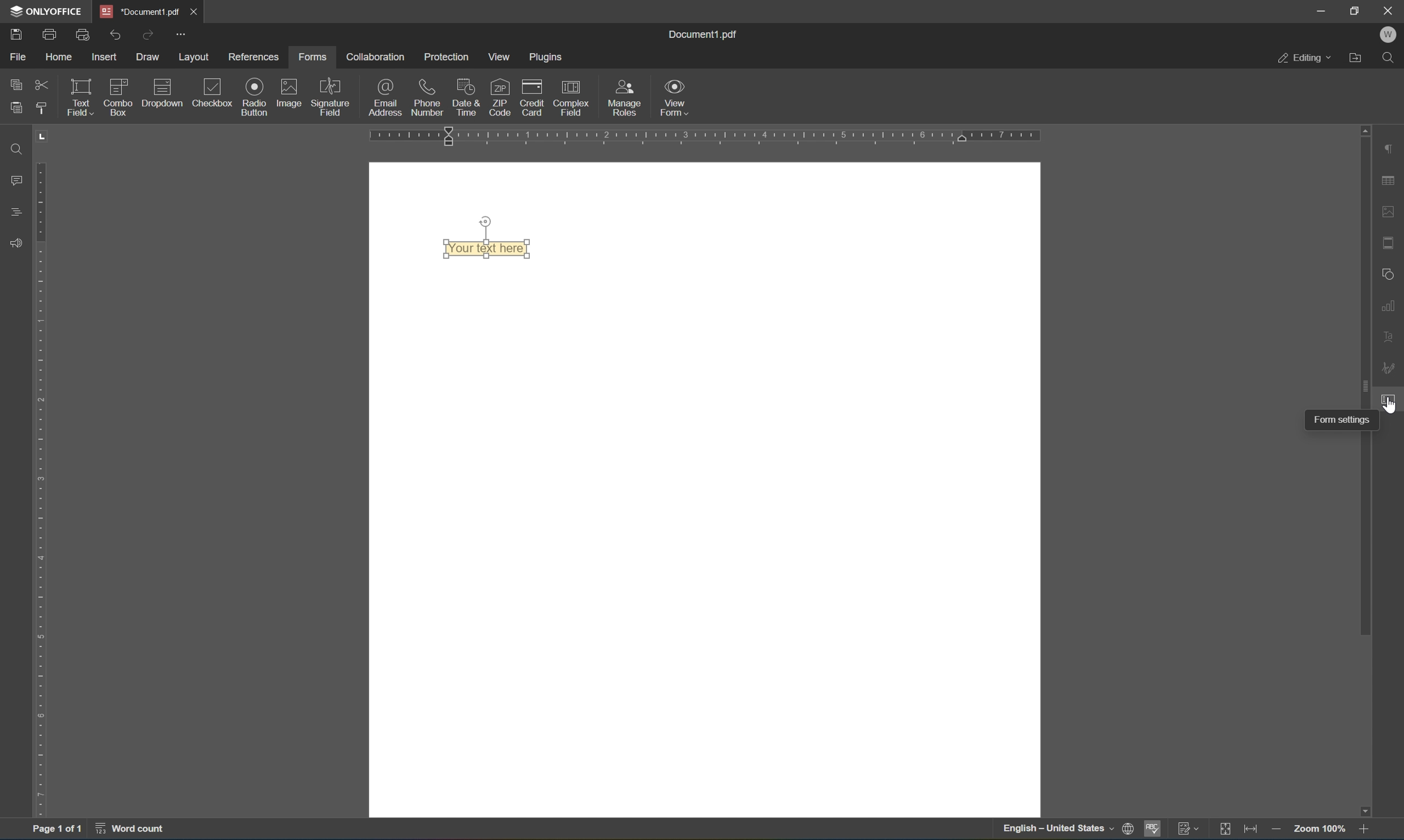  I want to click on file, so click(17, 56).